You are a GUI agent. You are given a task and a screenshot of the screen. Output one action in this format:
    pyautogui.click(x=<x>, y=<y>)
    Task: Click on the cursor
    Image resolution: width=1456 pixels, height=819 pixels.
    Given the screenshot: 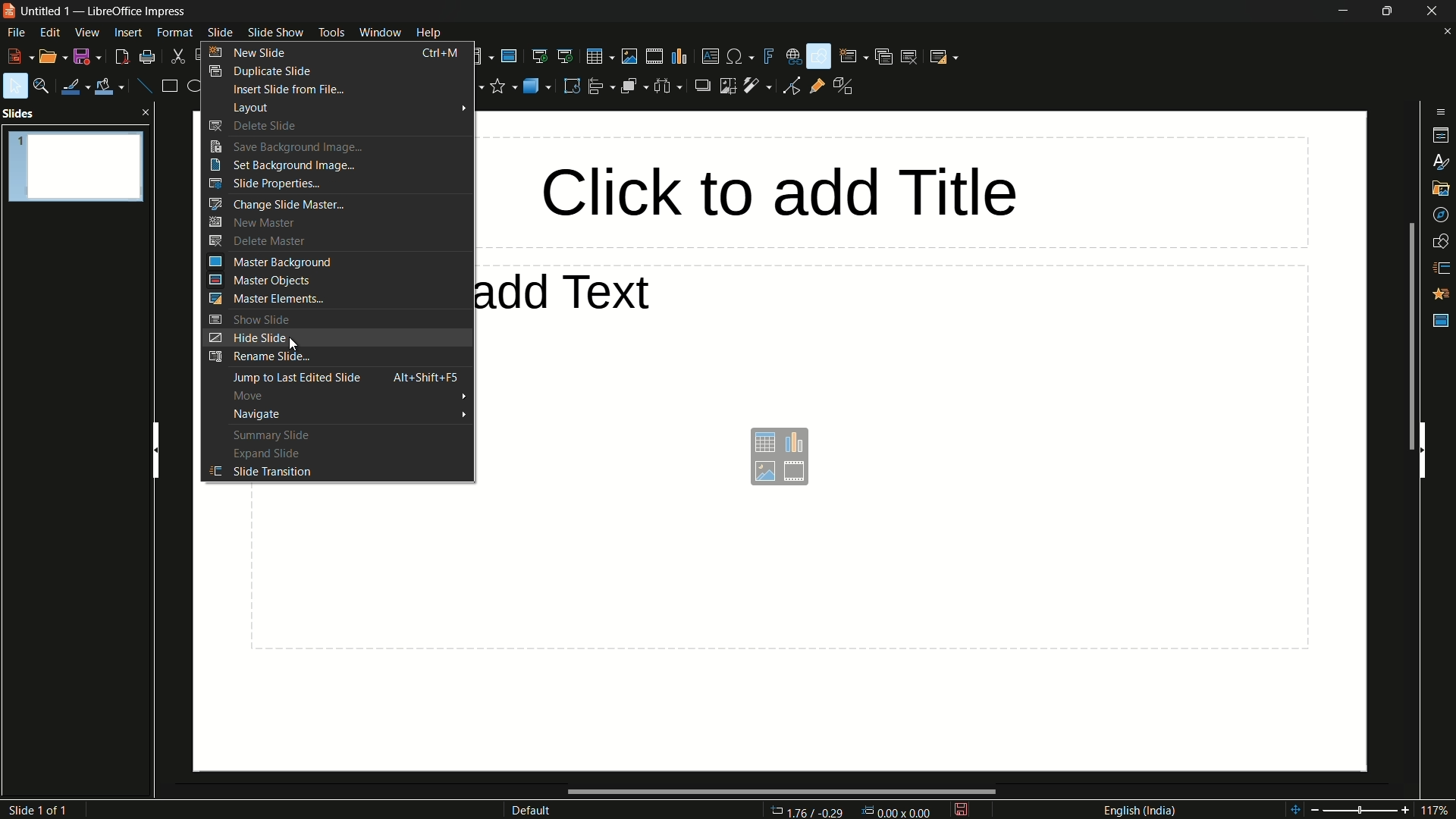 What is the action you would take?
    pyautogui.click(x=296, y=344)
    